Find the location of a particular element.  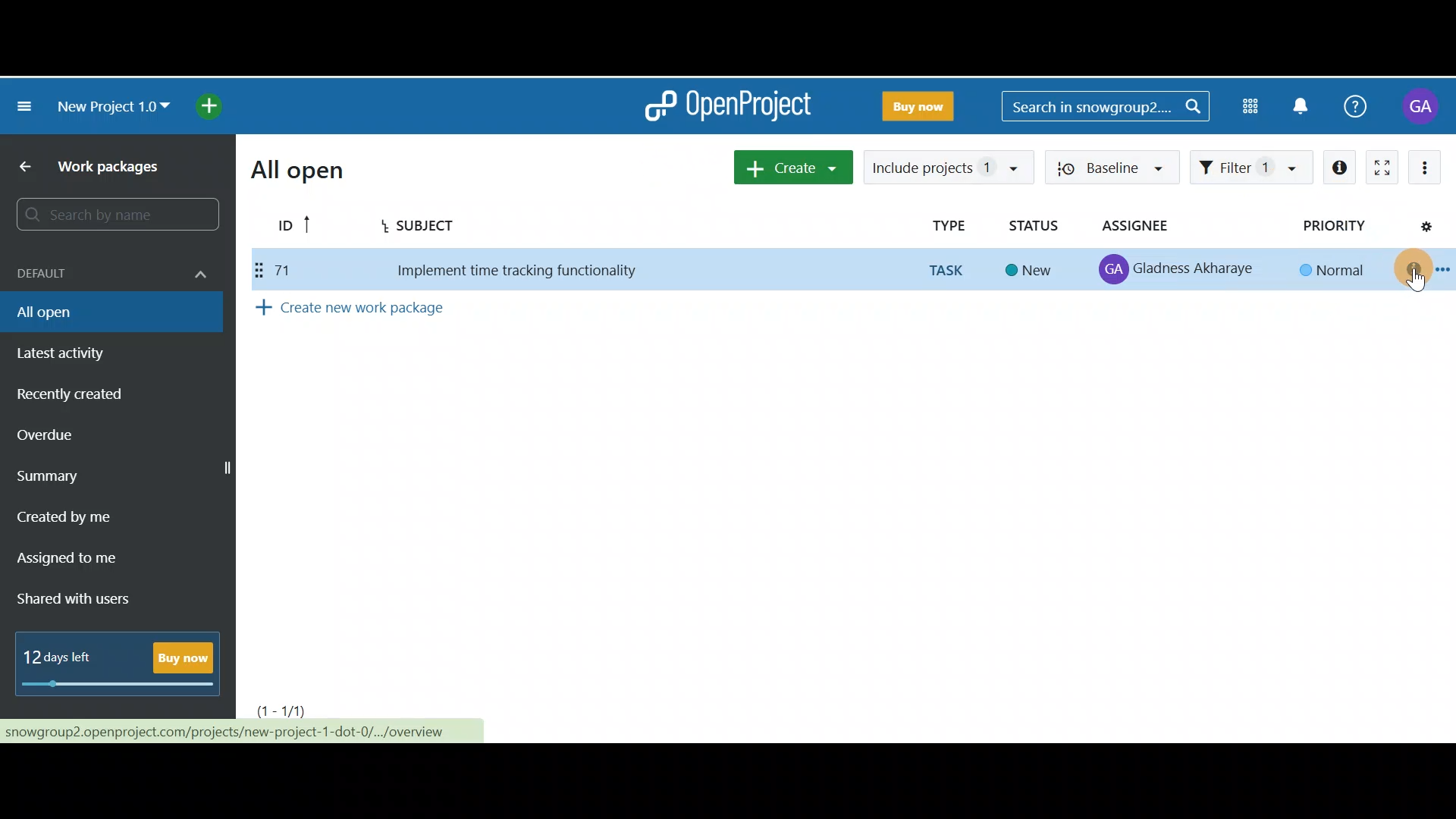

Created by me is located at coordinates (85, 511).